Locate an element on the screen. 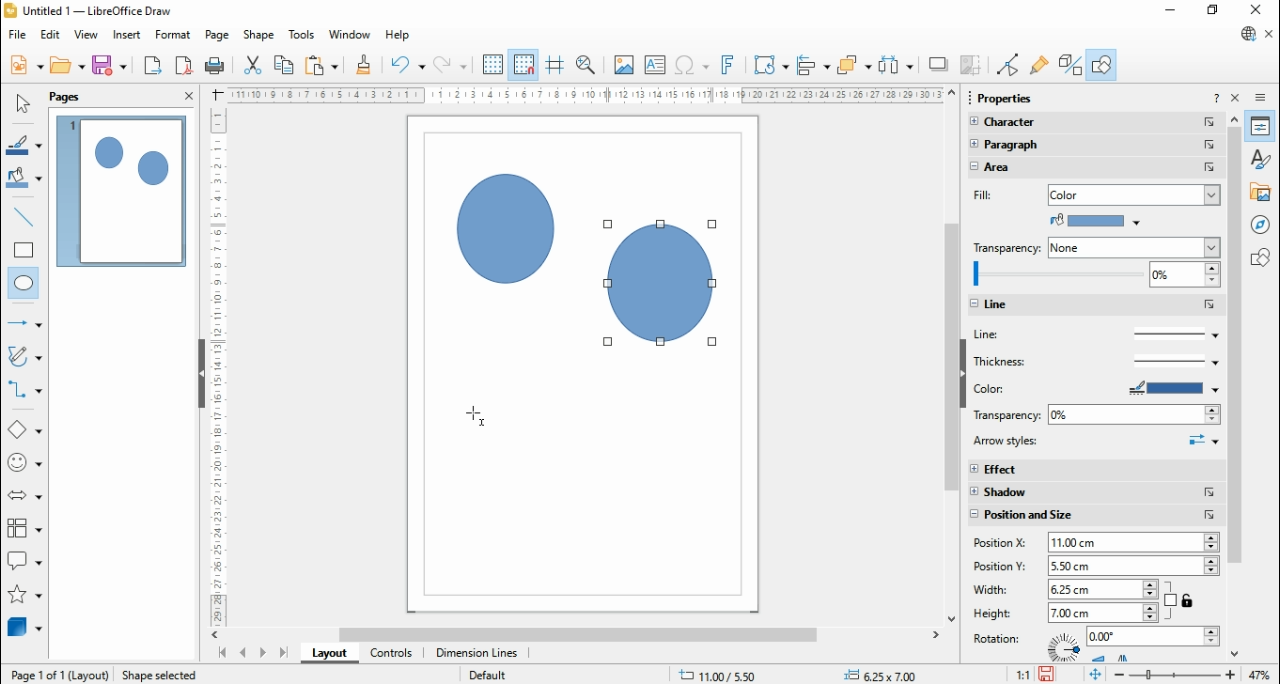  styles is located at coordinates (1262, 157).